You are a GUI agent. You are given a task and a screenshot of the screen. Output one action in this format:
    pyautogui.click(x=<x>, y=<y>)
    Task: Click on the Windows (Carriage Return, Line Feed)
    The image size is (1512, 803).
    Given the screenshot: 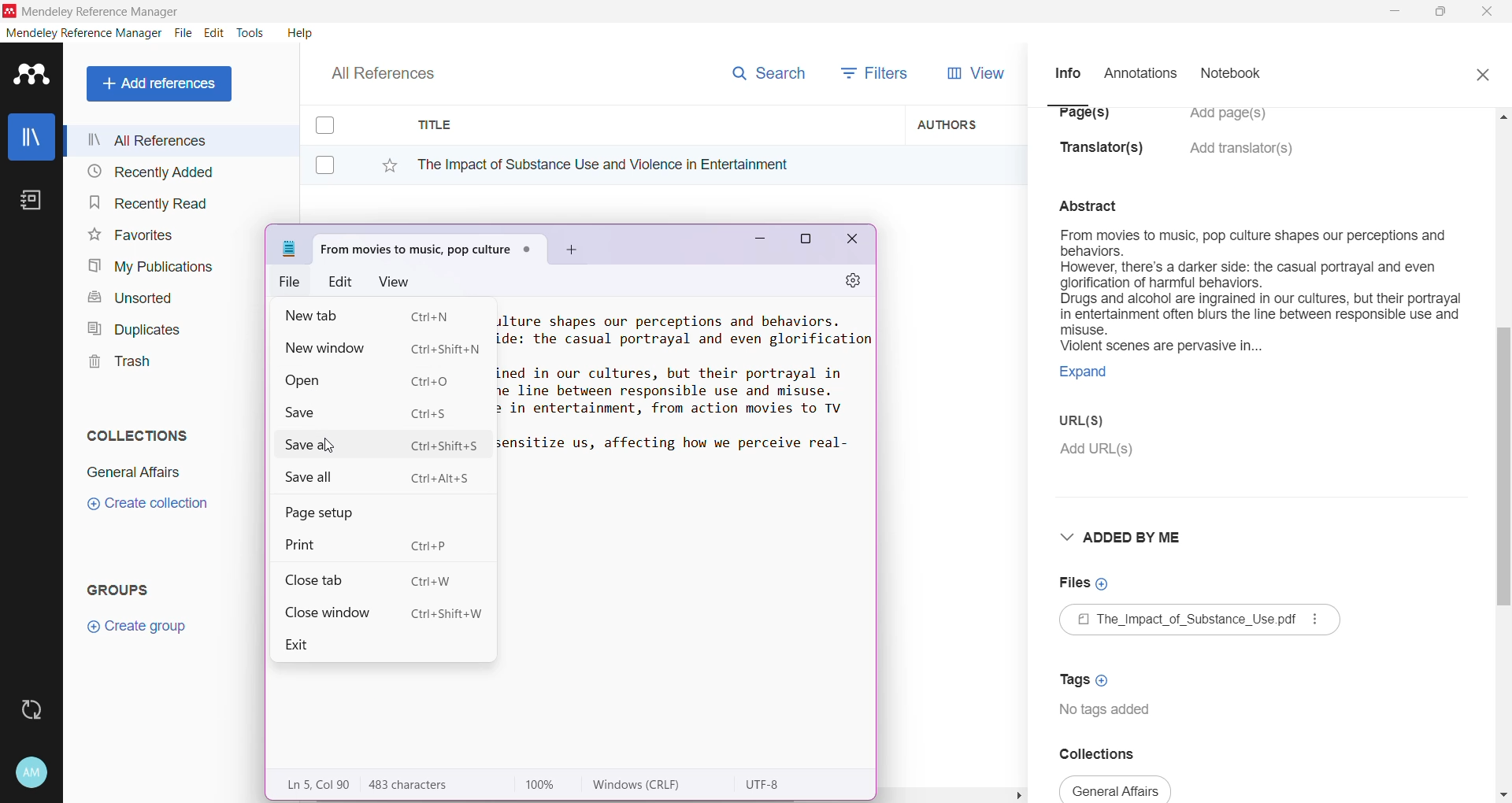 What is the action you would take?
    pyautogui.click(x=647, y=785)
    